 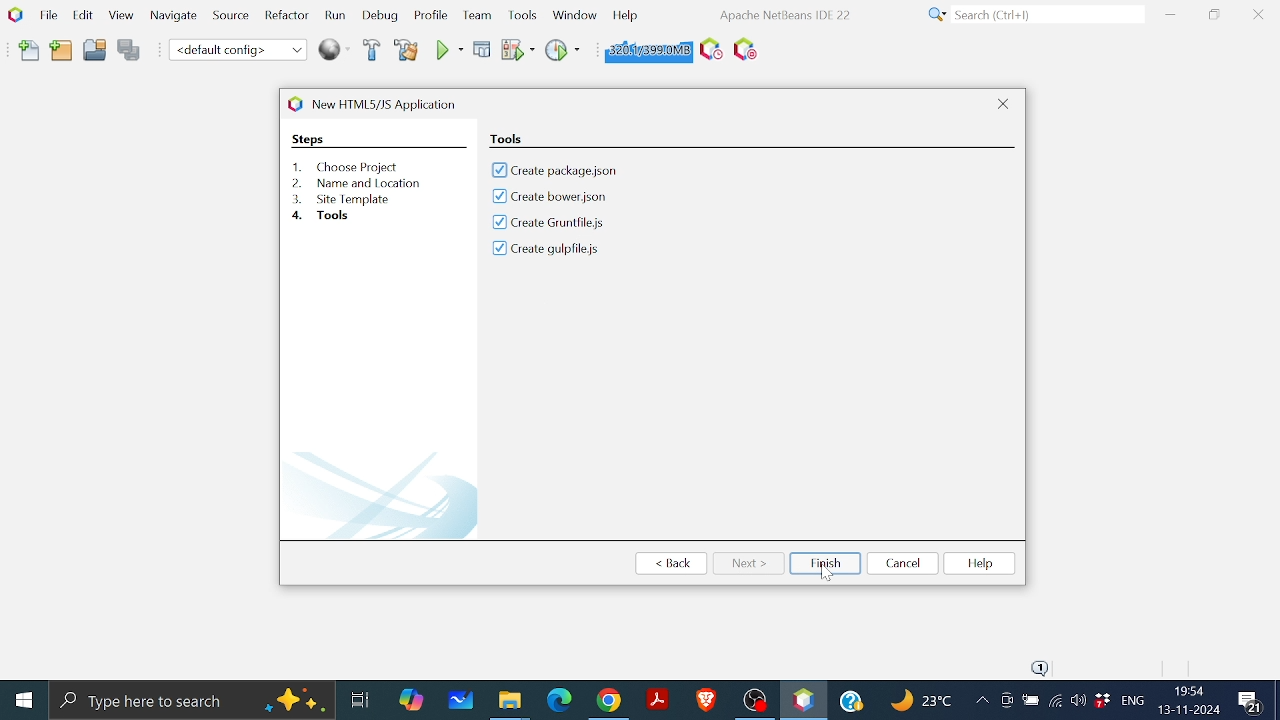 I want to click on Start, so click(x=26, y=699).